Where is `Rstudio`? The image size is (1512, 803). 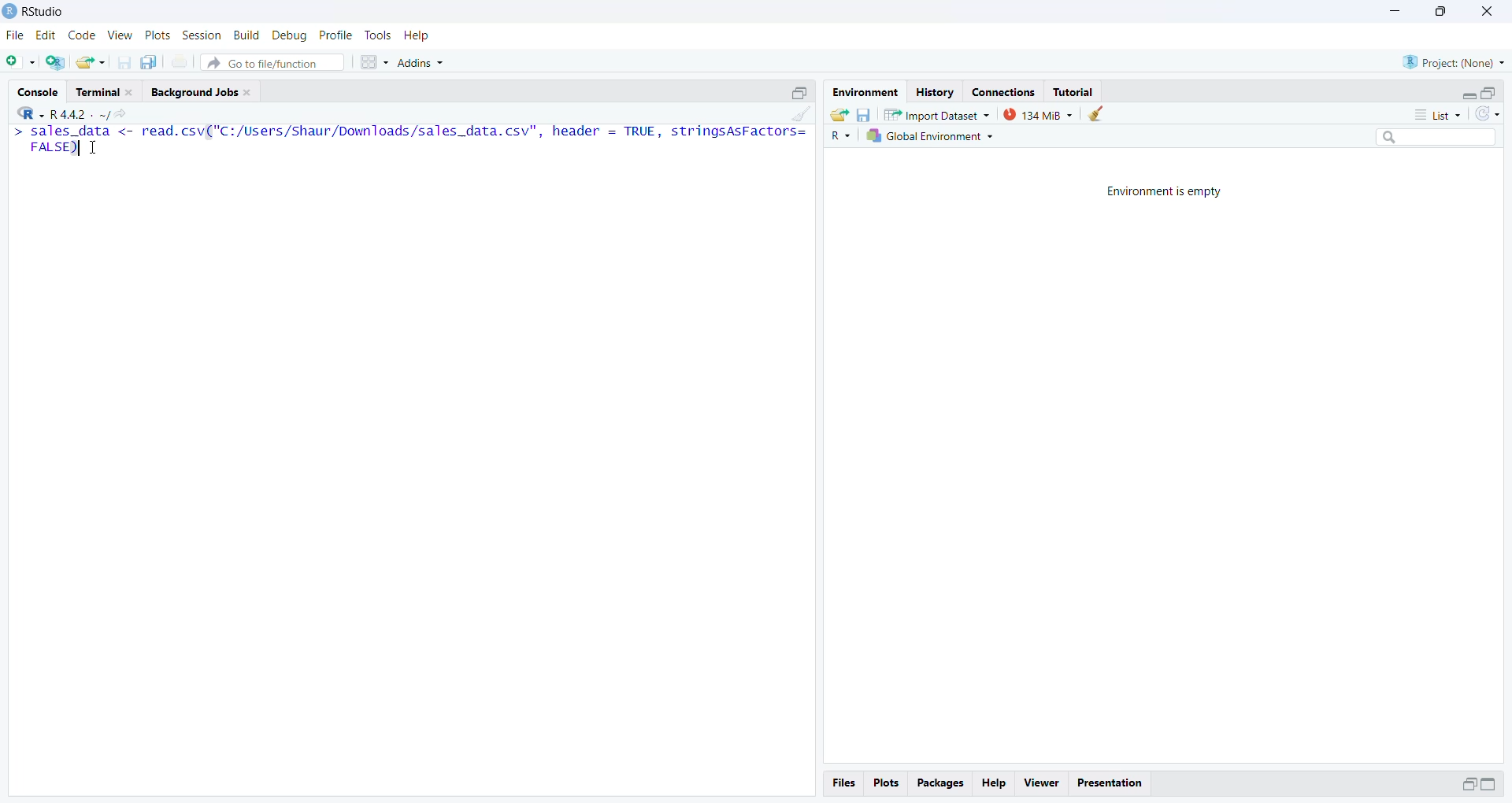
Rstudio is located at coordinates (30, 9).